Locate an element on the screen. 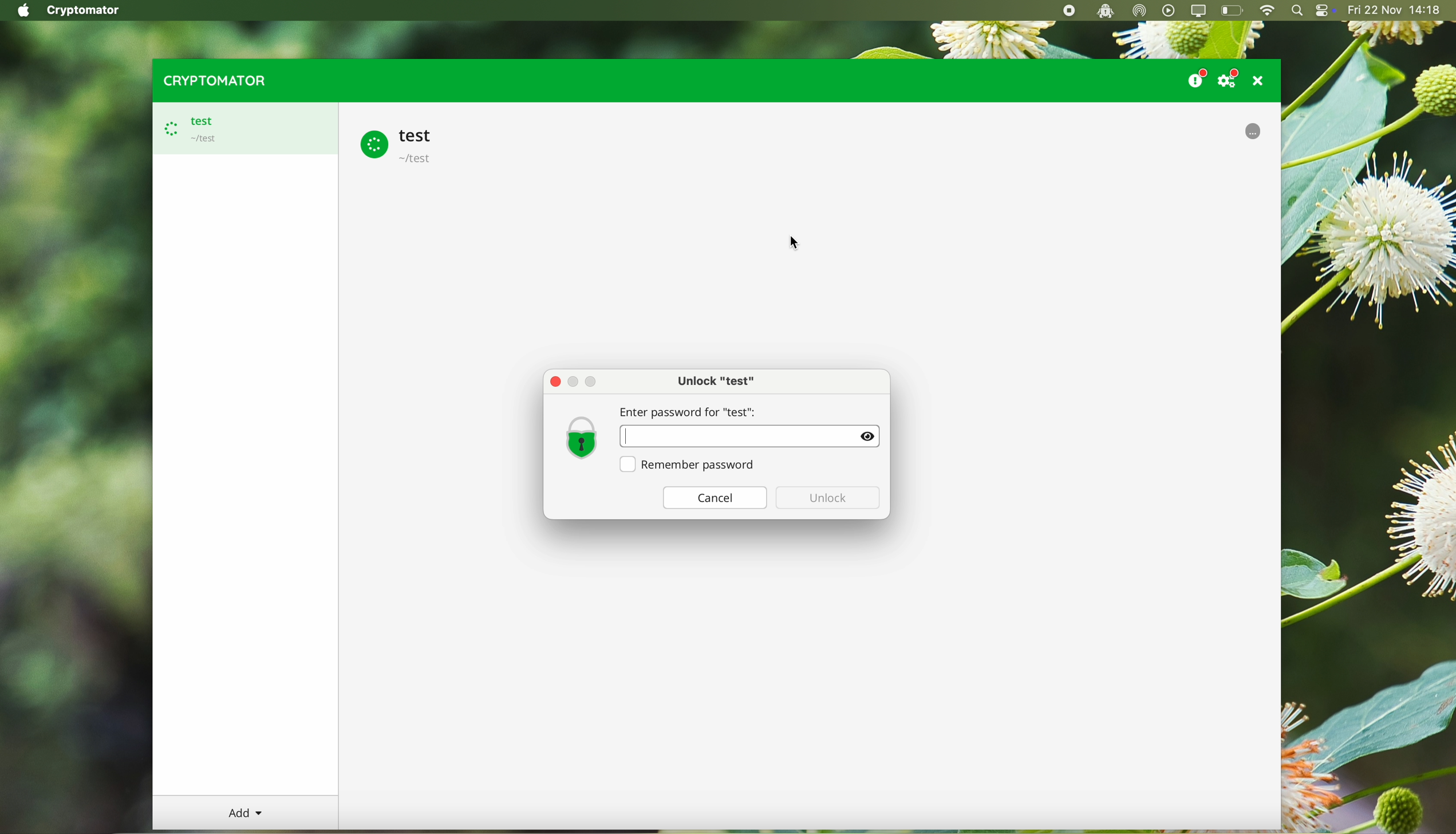 Image resolution: width=1456 pixels, height=834 pixels. add is located at coordinates (246, 813).